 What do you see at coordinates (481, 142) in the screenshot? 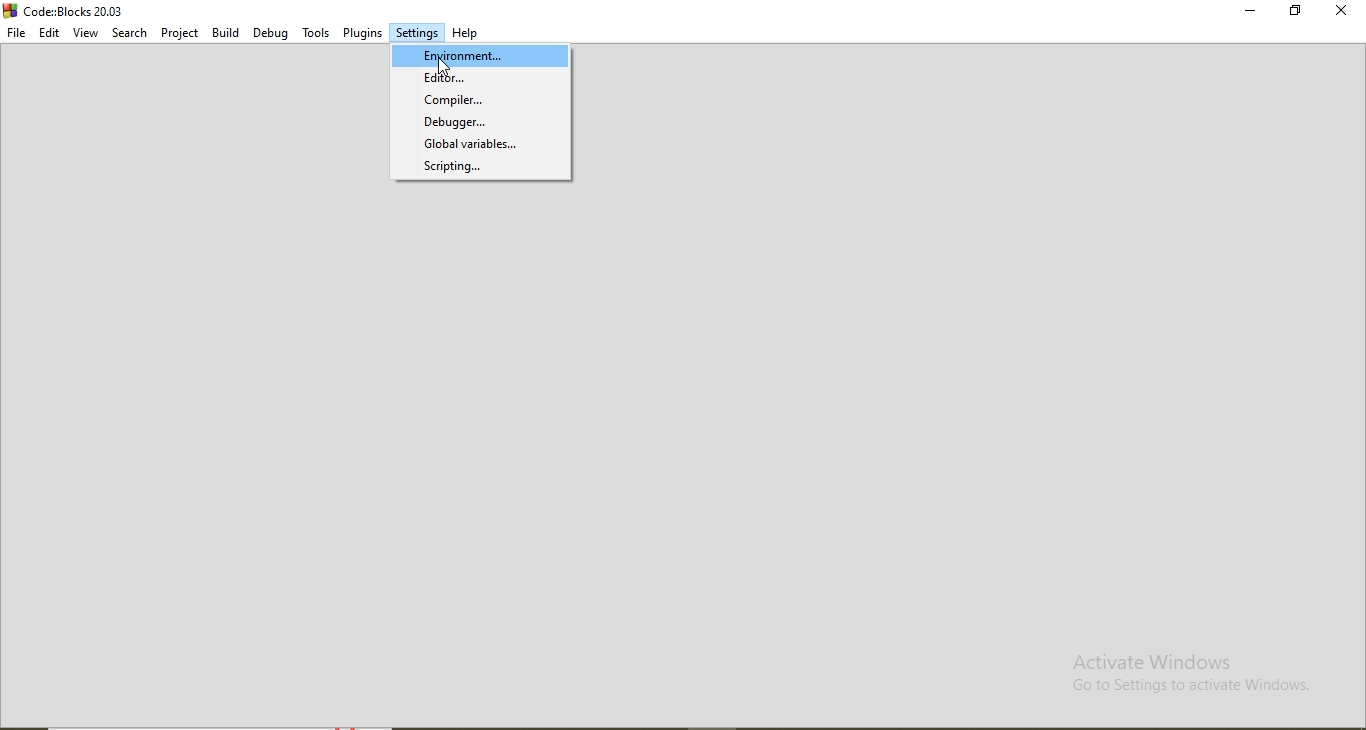
I see `Global varibales` at bounding box center [481, 142].